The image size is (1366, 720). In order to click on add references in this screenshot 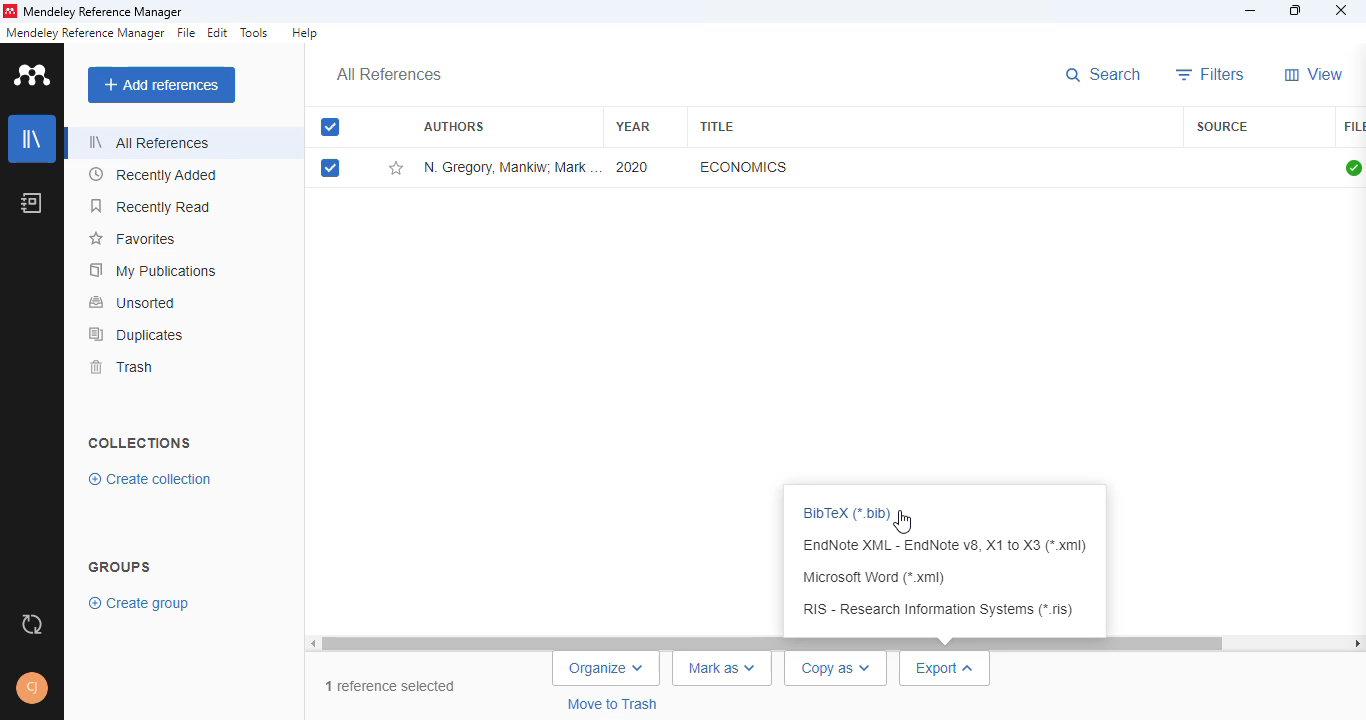, I will do `click(162, 85)`.